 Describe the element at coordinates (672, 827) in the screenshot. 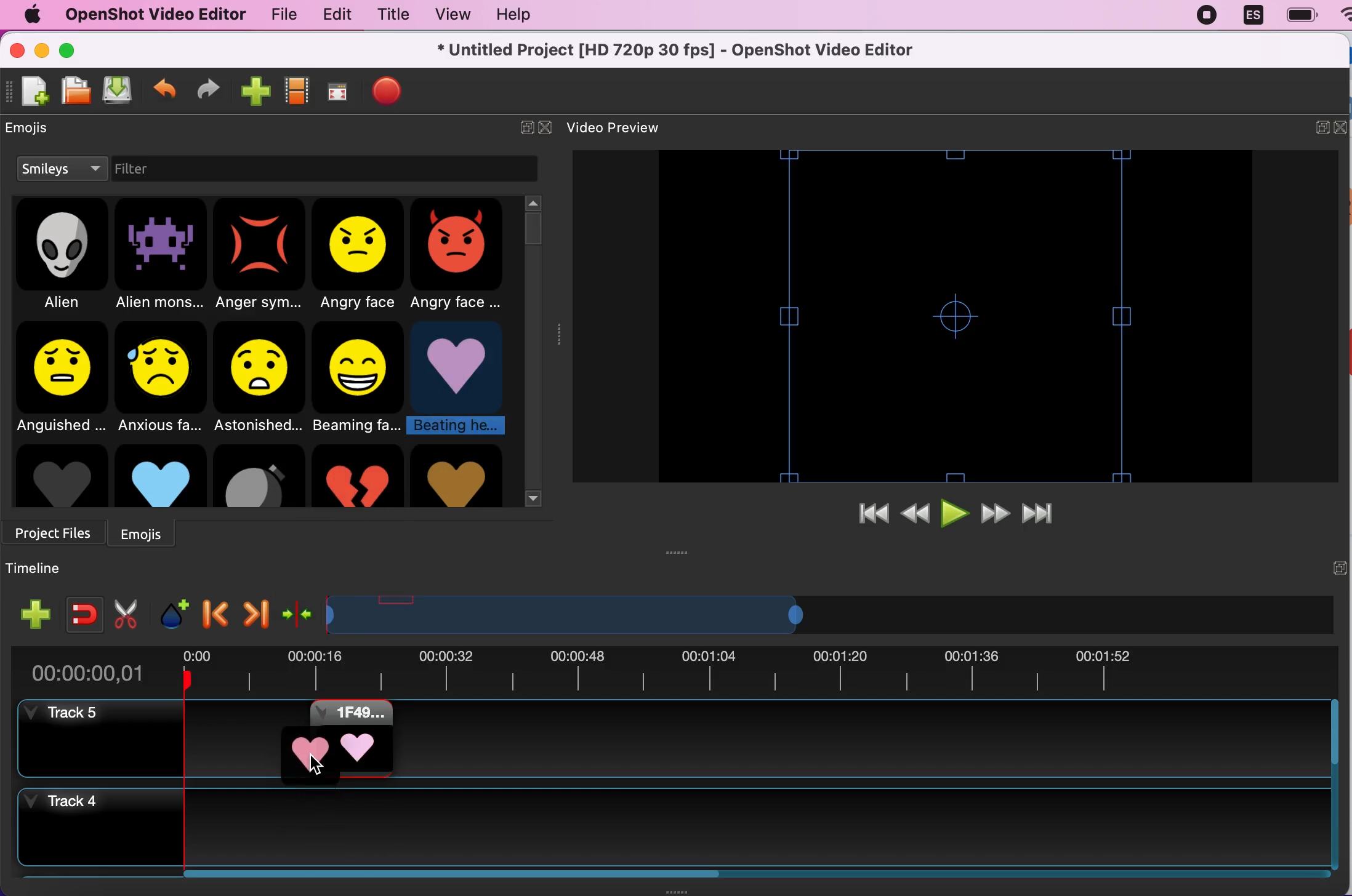

I see `track 4` at that location.